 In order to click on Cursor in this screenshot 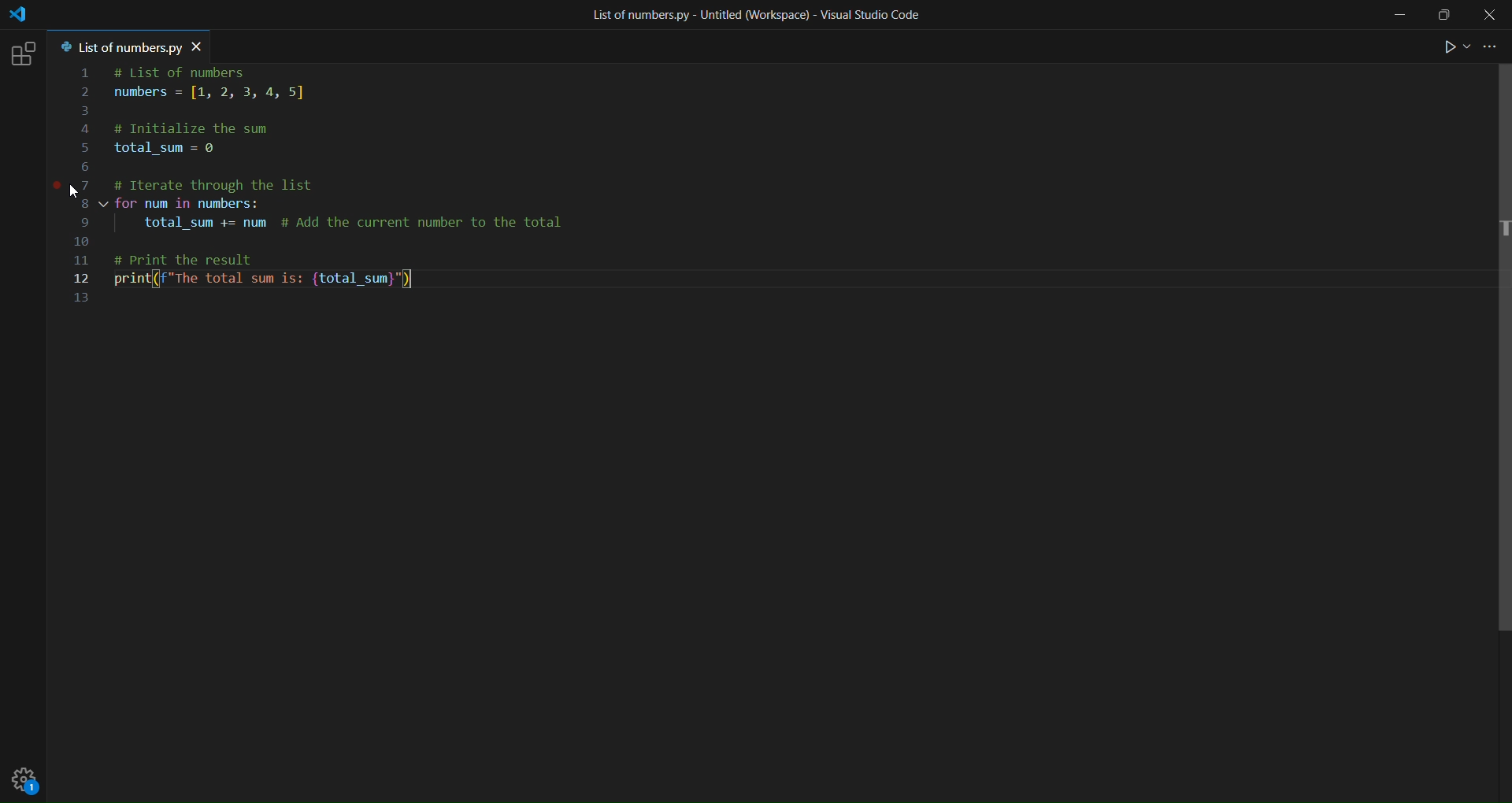, I will do `click(74, 192)`.